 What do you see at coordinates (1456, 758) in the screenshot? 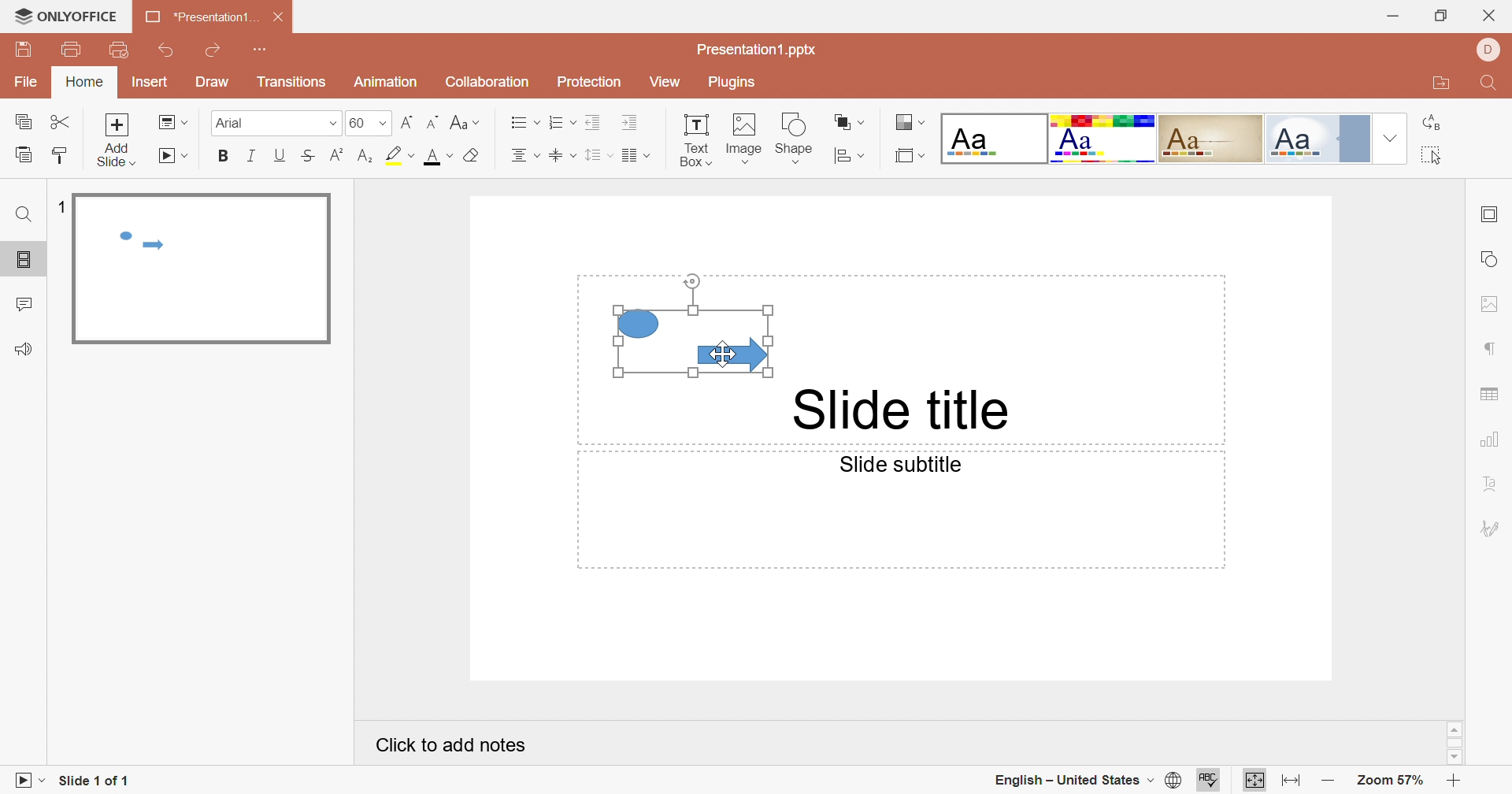
I see `Scroll Down` at bounding box center [1456, 758].